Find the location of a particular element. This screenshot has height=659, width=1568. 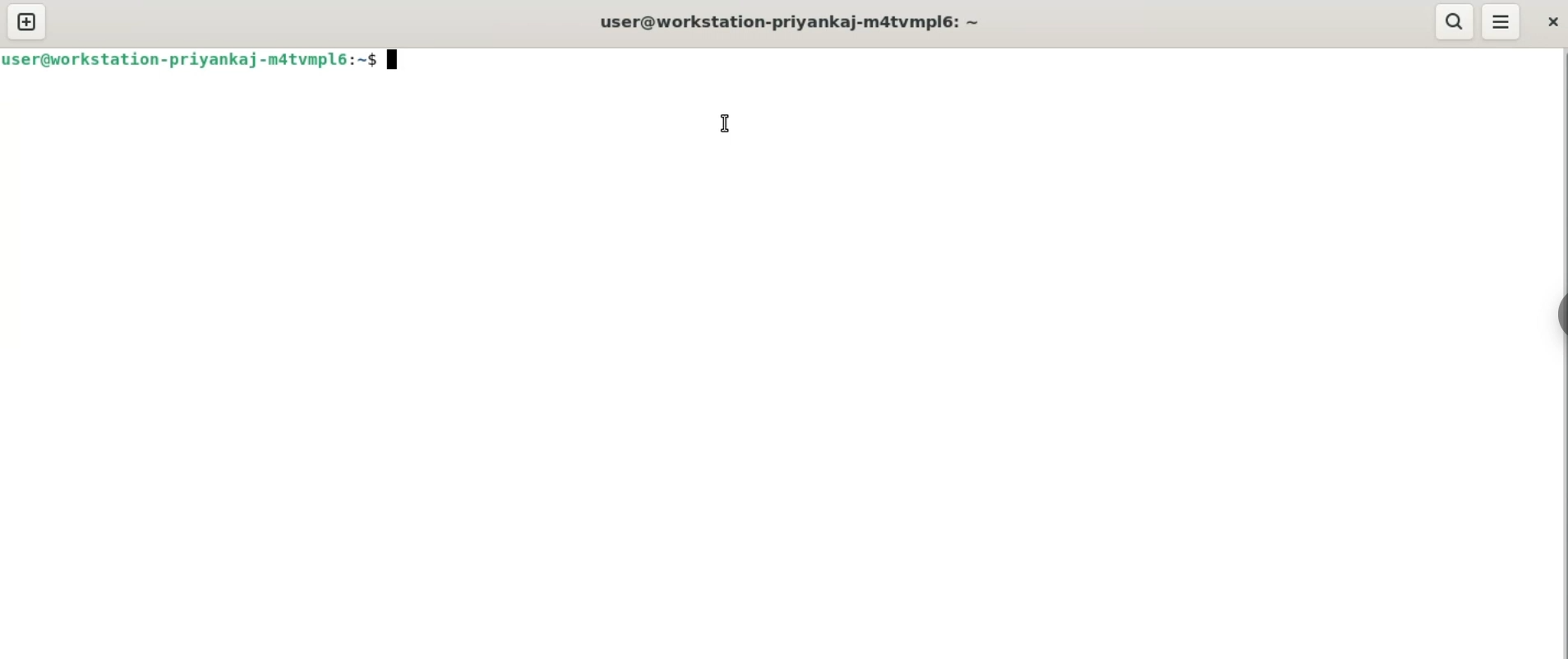

new tab is located at coordinates (25, 21).